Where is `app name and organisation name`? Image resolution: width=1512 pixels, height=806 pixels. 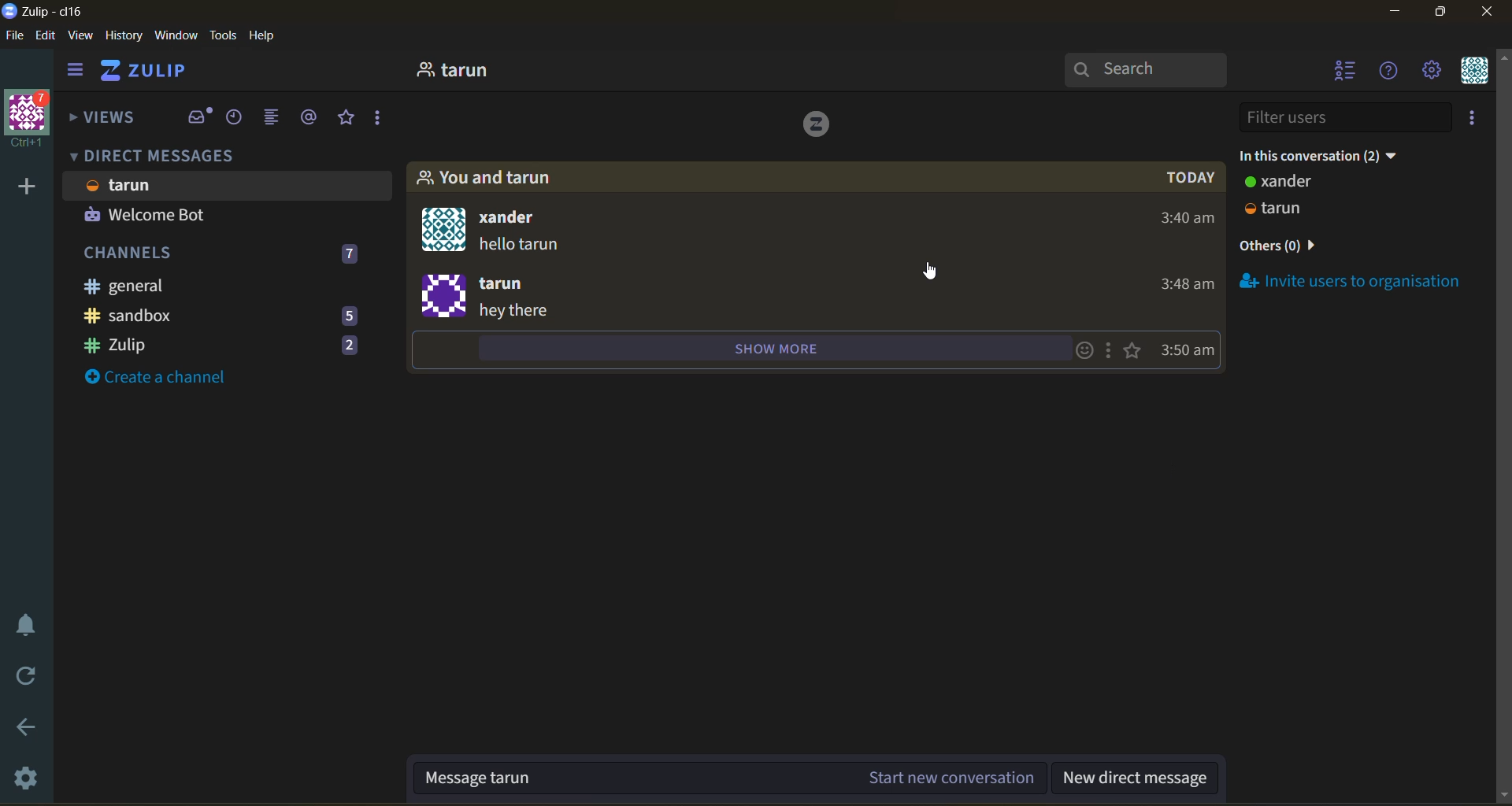
app name and organisation name is located at coordinates (46, 11).